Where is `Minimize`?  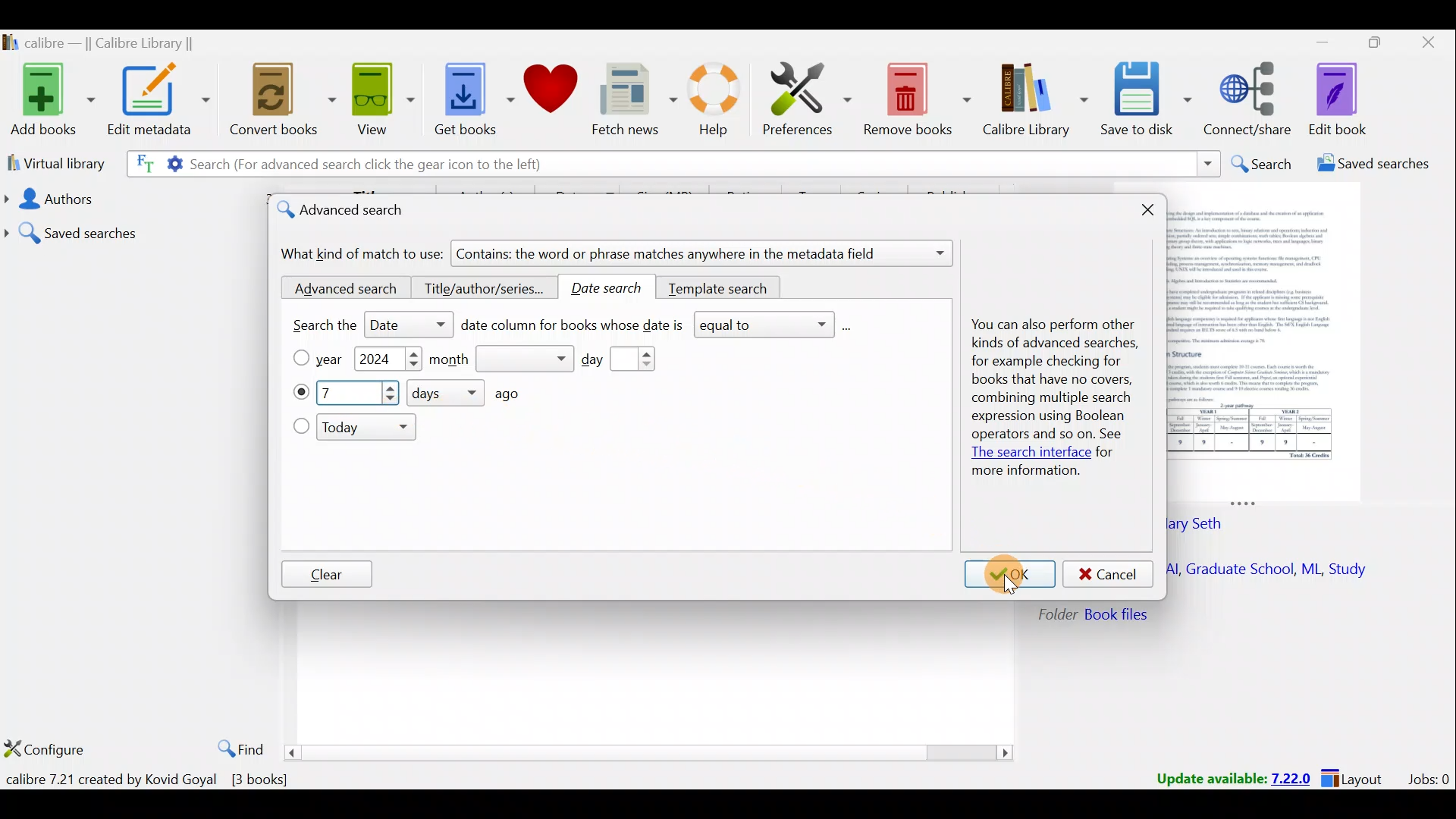 Minimize is located at coordinates (1314, 42).